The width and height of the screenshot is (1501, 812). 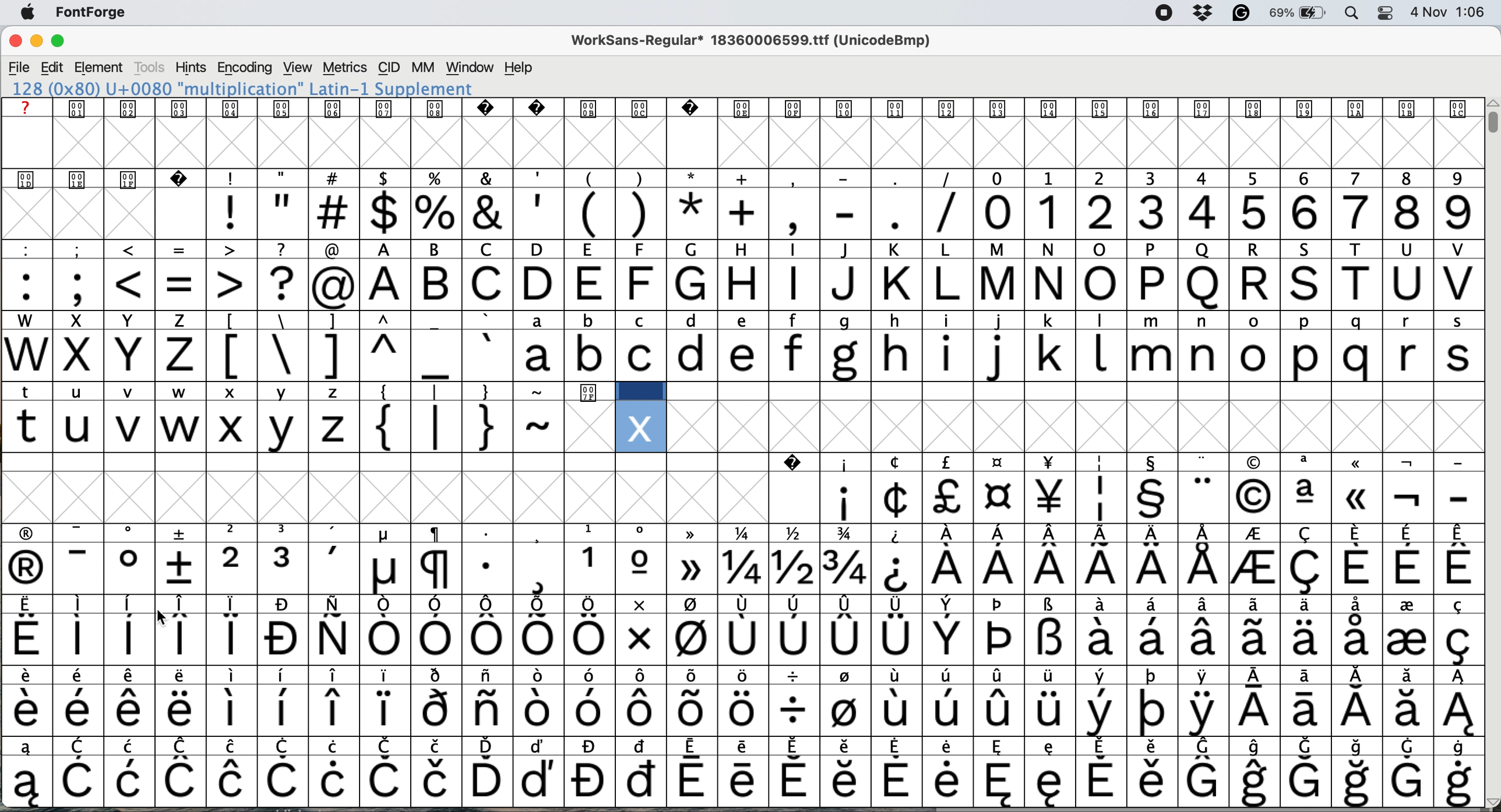 What do you see at coordinates (588, 213) in the screenshot?
I see `special characters` at bounding box center [588, 213].